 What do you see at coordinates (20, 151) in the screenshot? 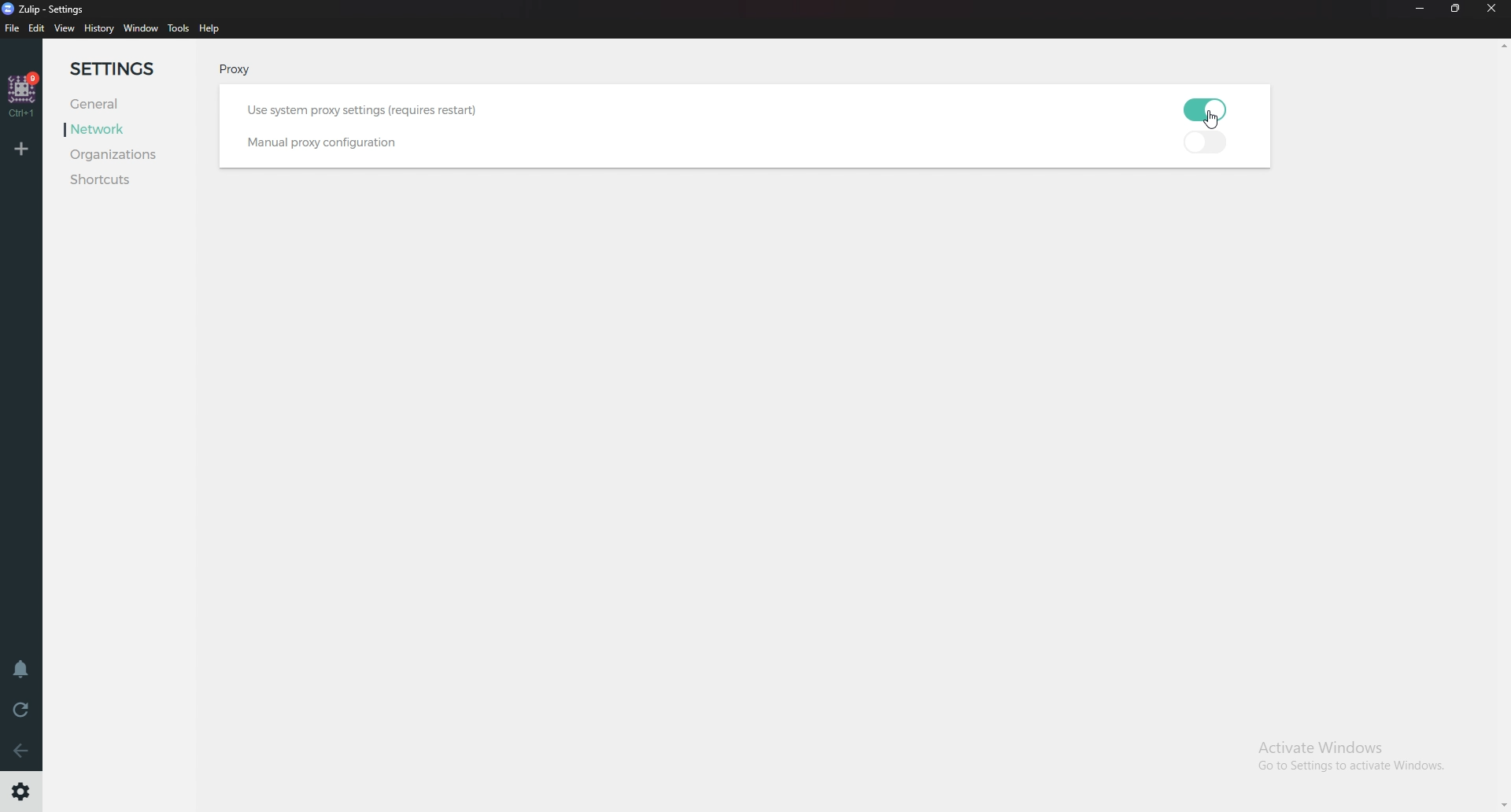
I see `add organization` at bounding box center [20, 151].